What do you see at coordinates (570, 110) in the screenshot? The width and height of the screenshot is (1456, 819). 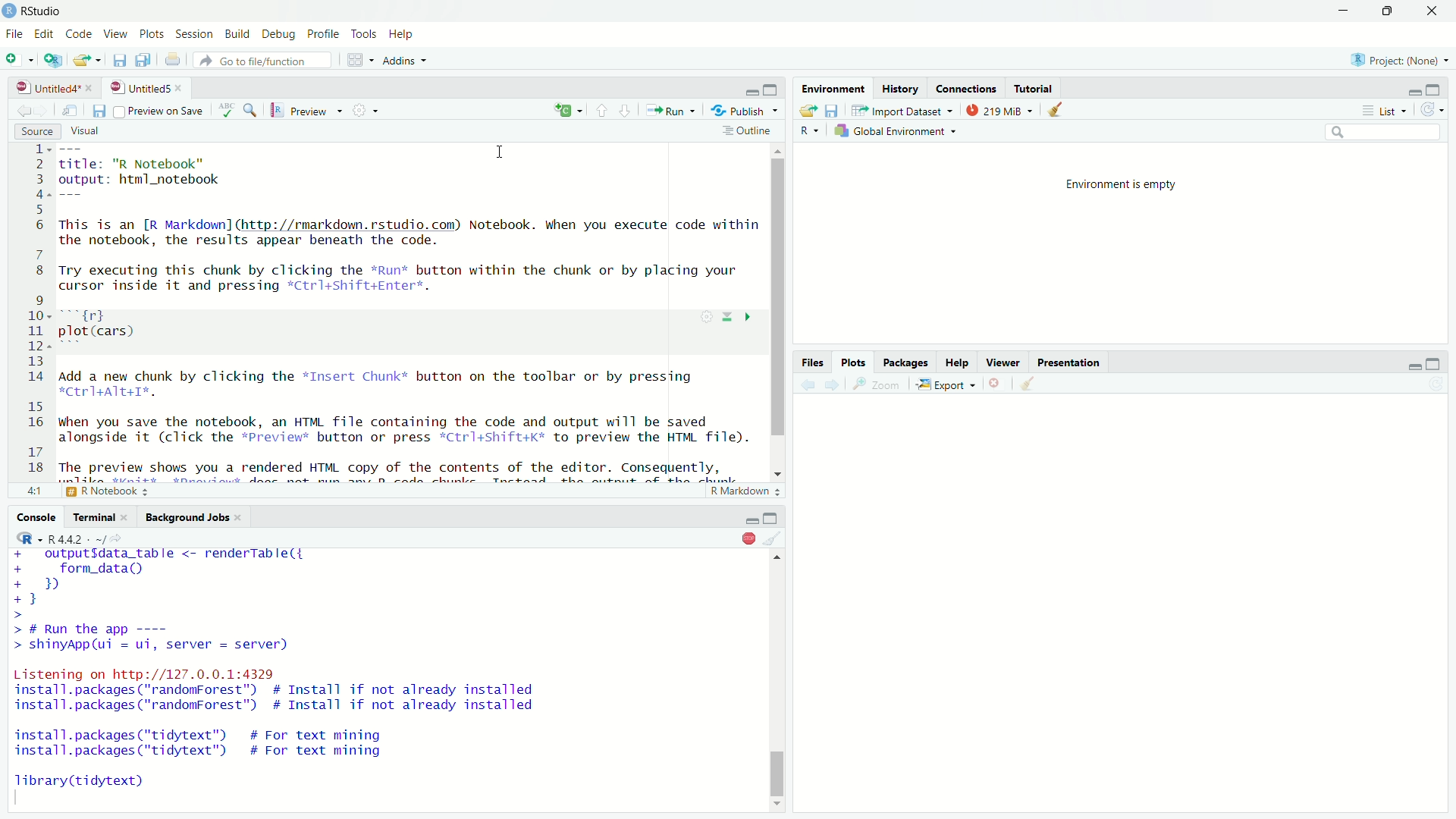 I see `Current language` at bounding box center [570, 110].